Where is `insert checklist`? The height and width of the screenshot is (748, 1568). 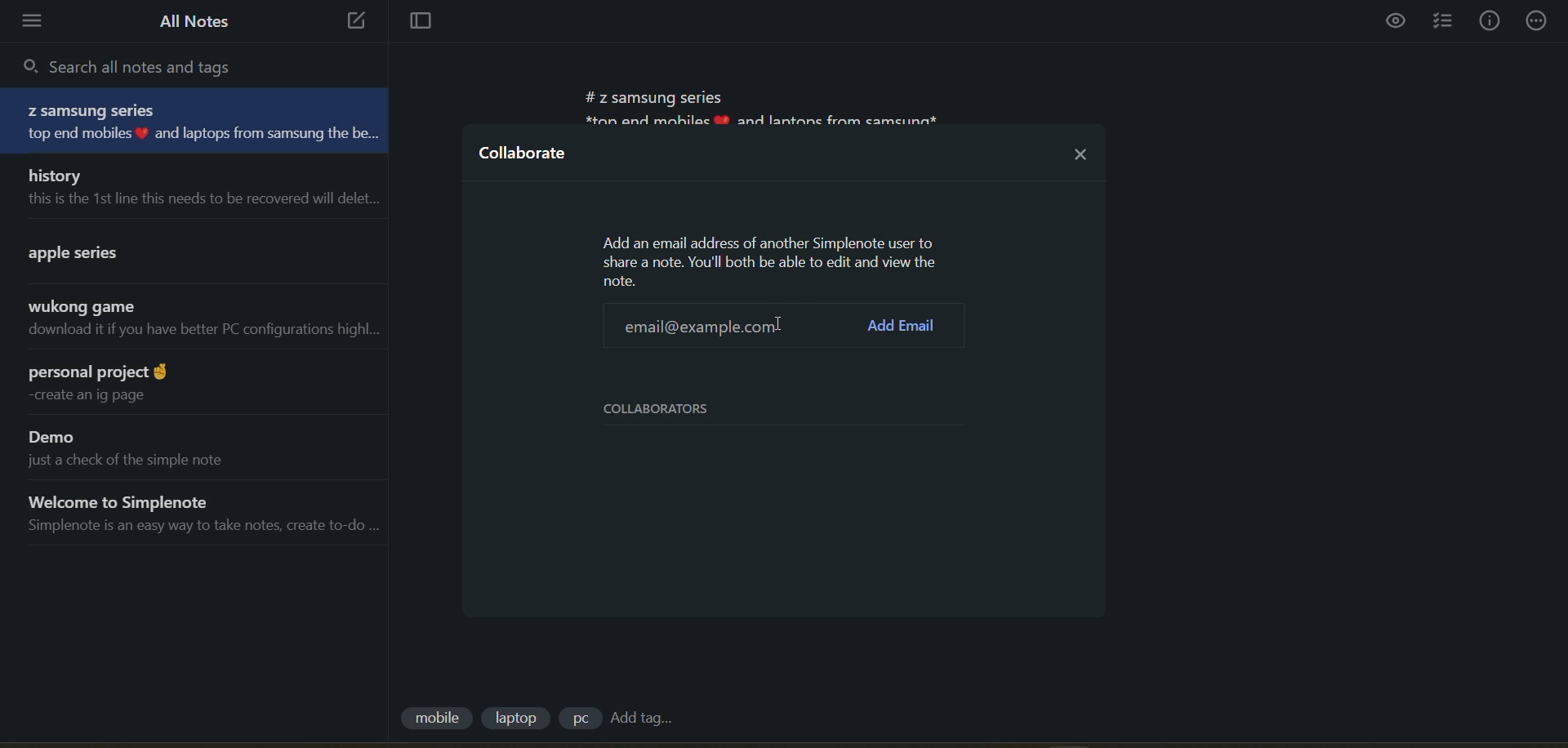
insert checklist is located at coordinates (1446, 22).